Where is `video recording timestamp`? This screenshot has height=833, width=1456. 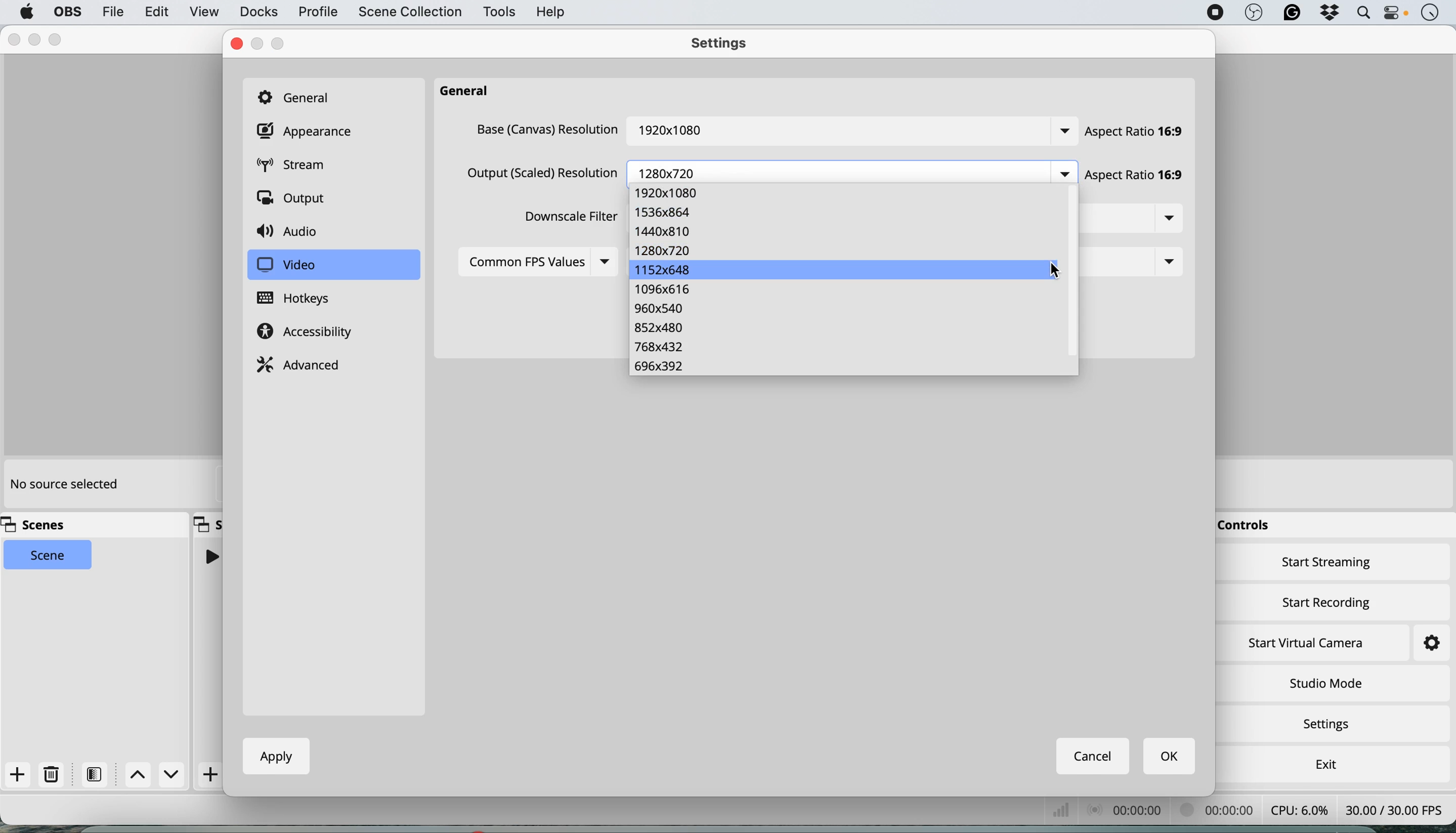 video recording timestamp is located at coordinates (1220, 812).